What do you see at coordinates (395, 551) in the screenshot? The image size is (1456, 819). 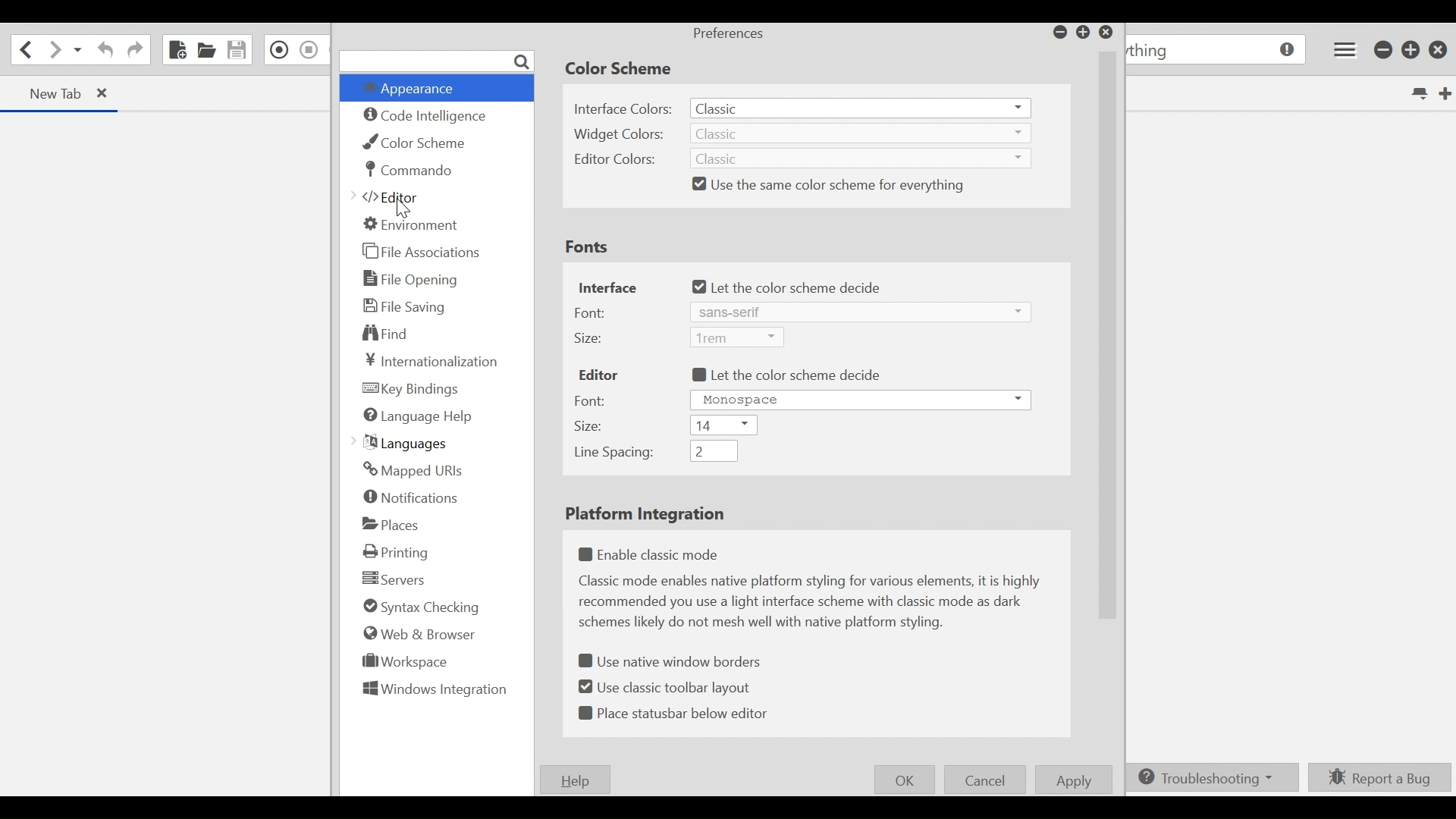 I see `Printing` at bounding box center [395, 551].